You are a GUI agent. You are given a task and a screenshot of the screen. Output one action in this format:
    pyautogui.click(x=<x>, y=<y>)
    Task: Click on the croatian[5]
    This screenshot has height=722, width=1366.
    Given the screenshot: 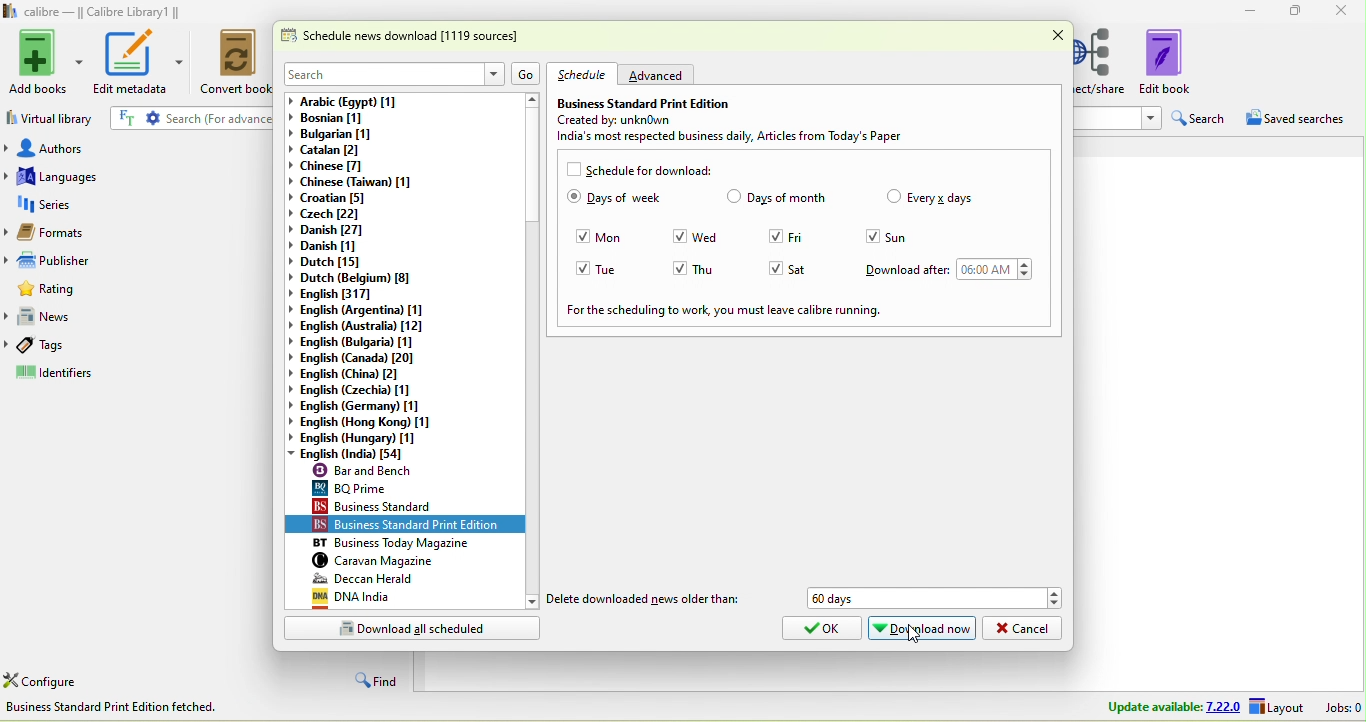 What is the action you would take?
    pyautogui.click(x=336, y=198)
    